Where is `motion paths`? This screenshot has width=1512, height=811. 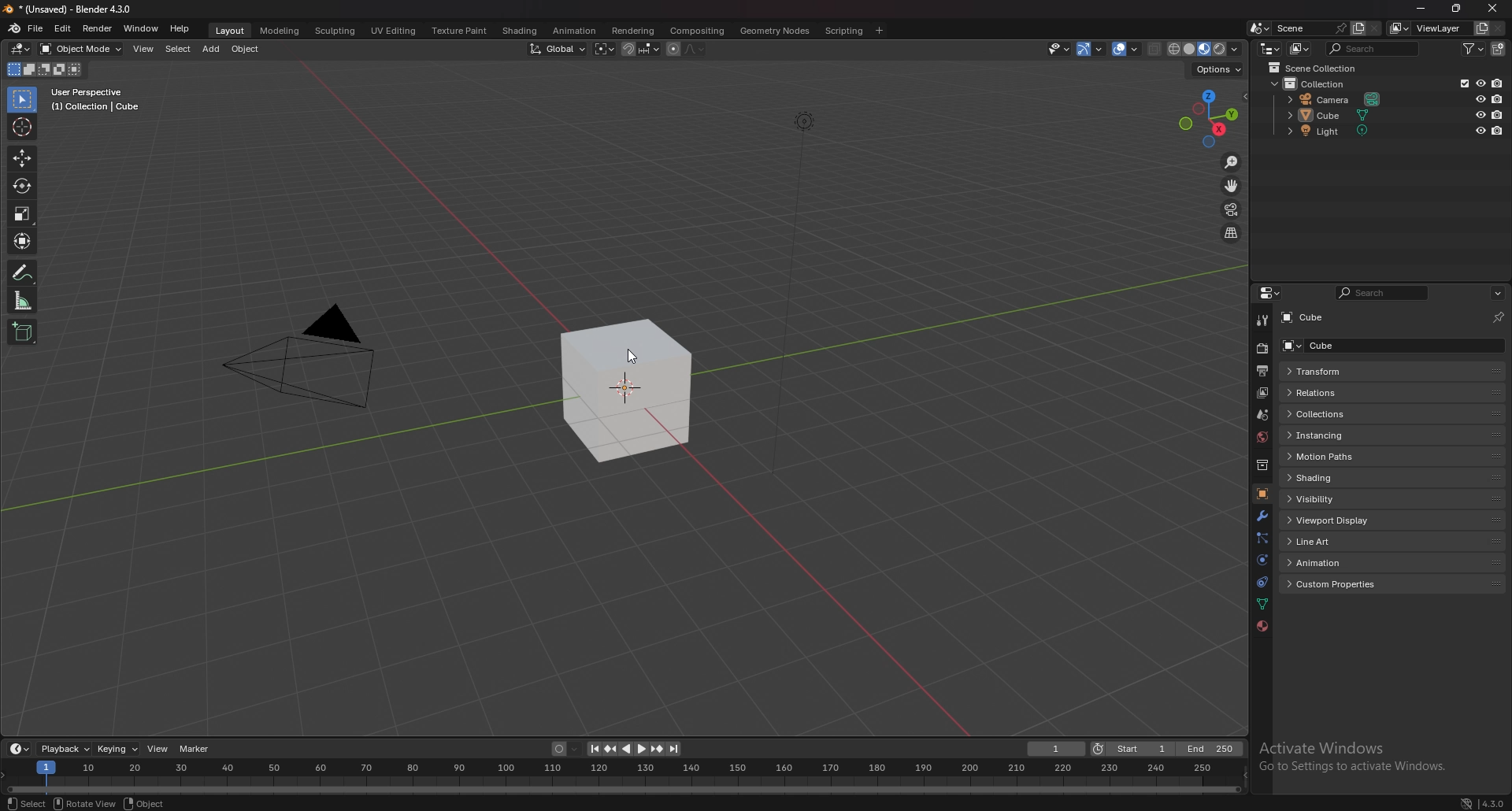 motion paths is located at coordinates (1336, 457).